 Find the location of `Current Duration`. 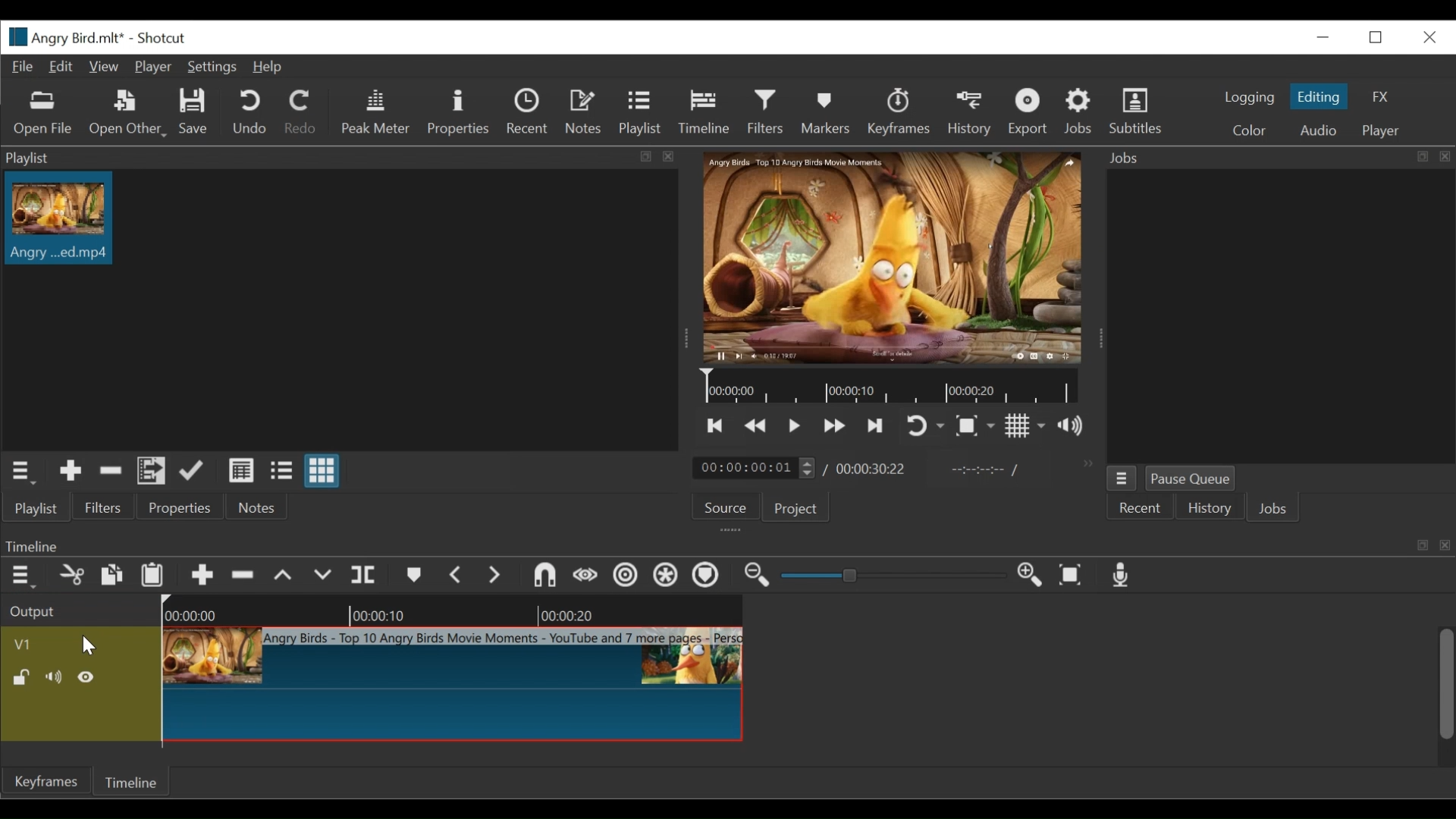

Current Duration is located at coordinates (755, 469).